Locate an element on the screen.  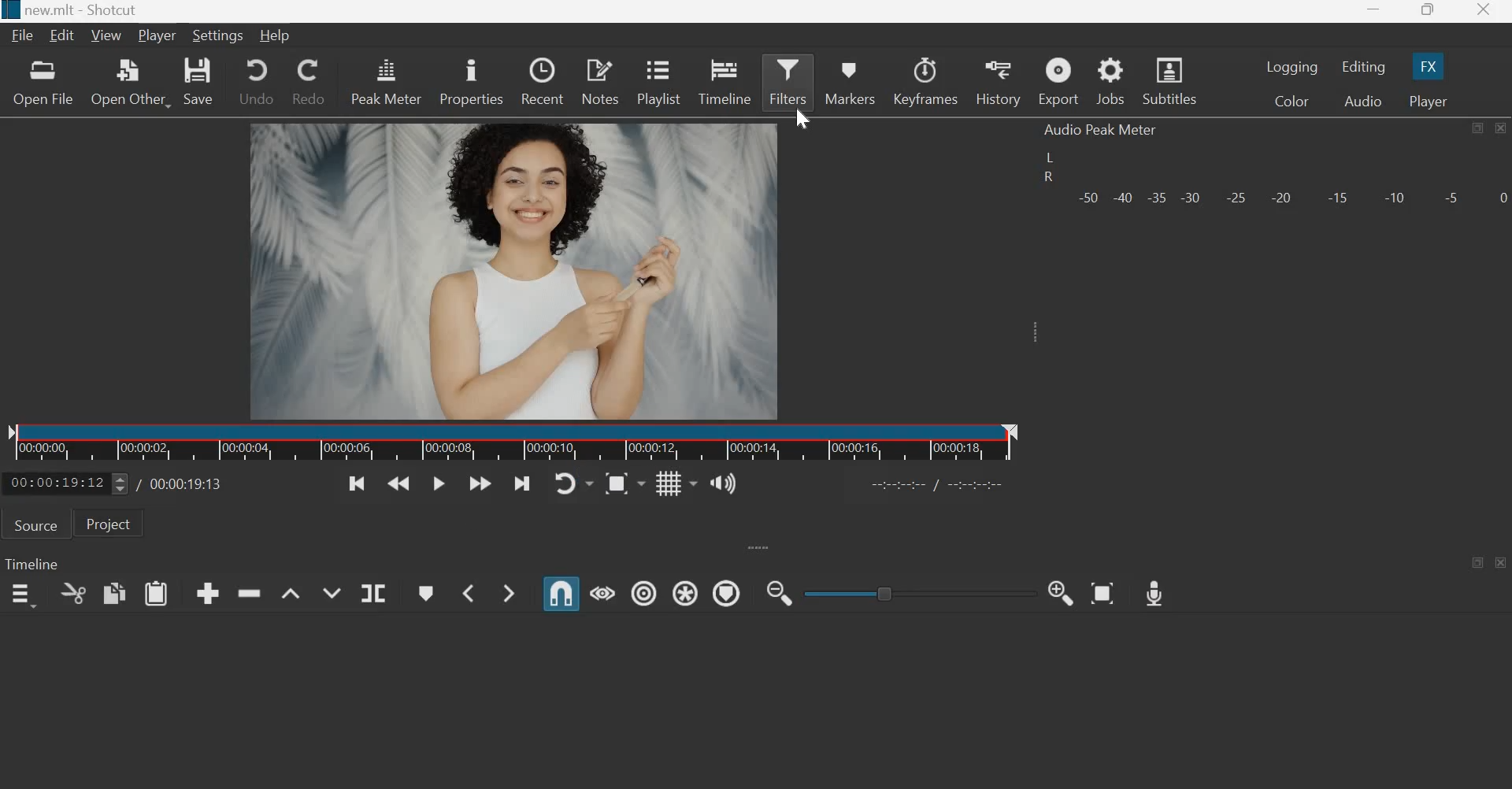
minimize is located at coordinates (1373, 13).